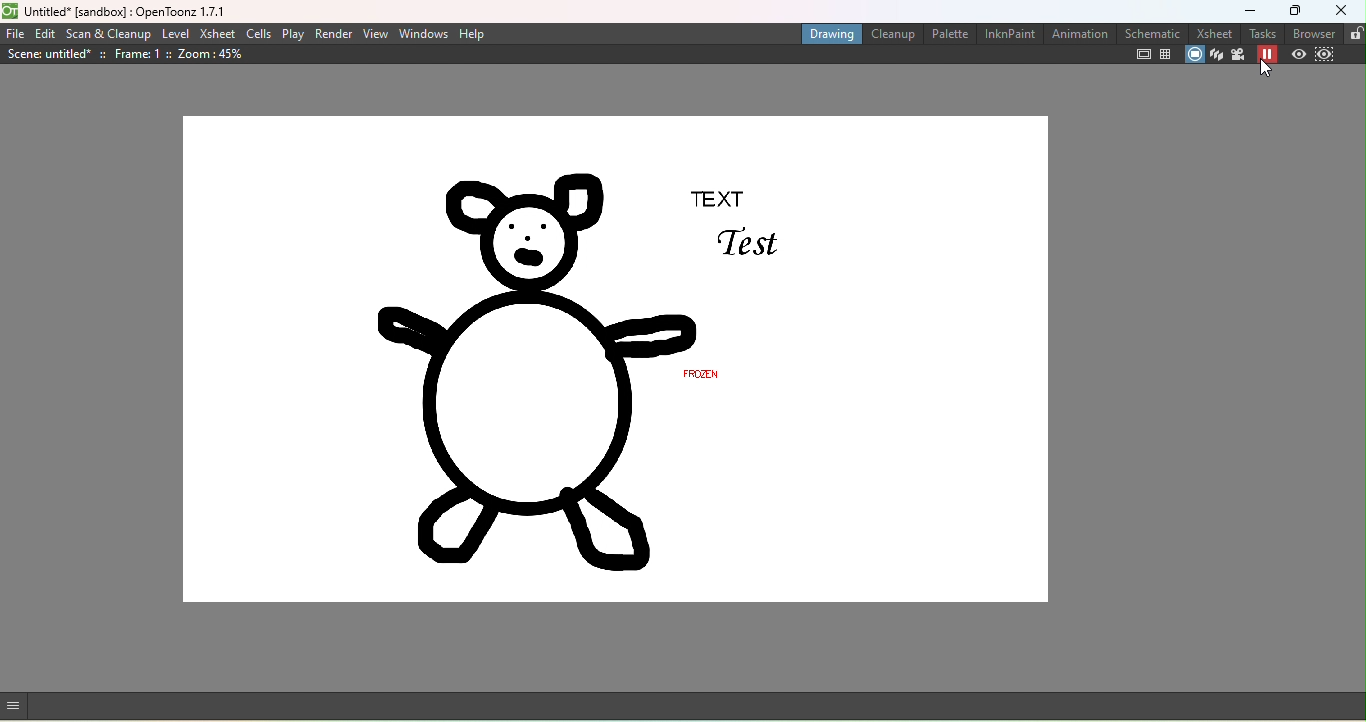 The image size is (1366, 722). I want to click on Minimize, so click(1252, 9).